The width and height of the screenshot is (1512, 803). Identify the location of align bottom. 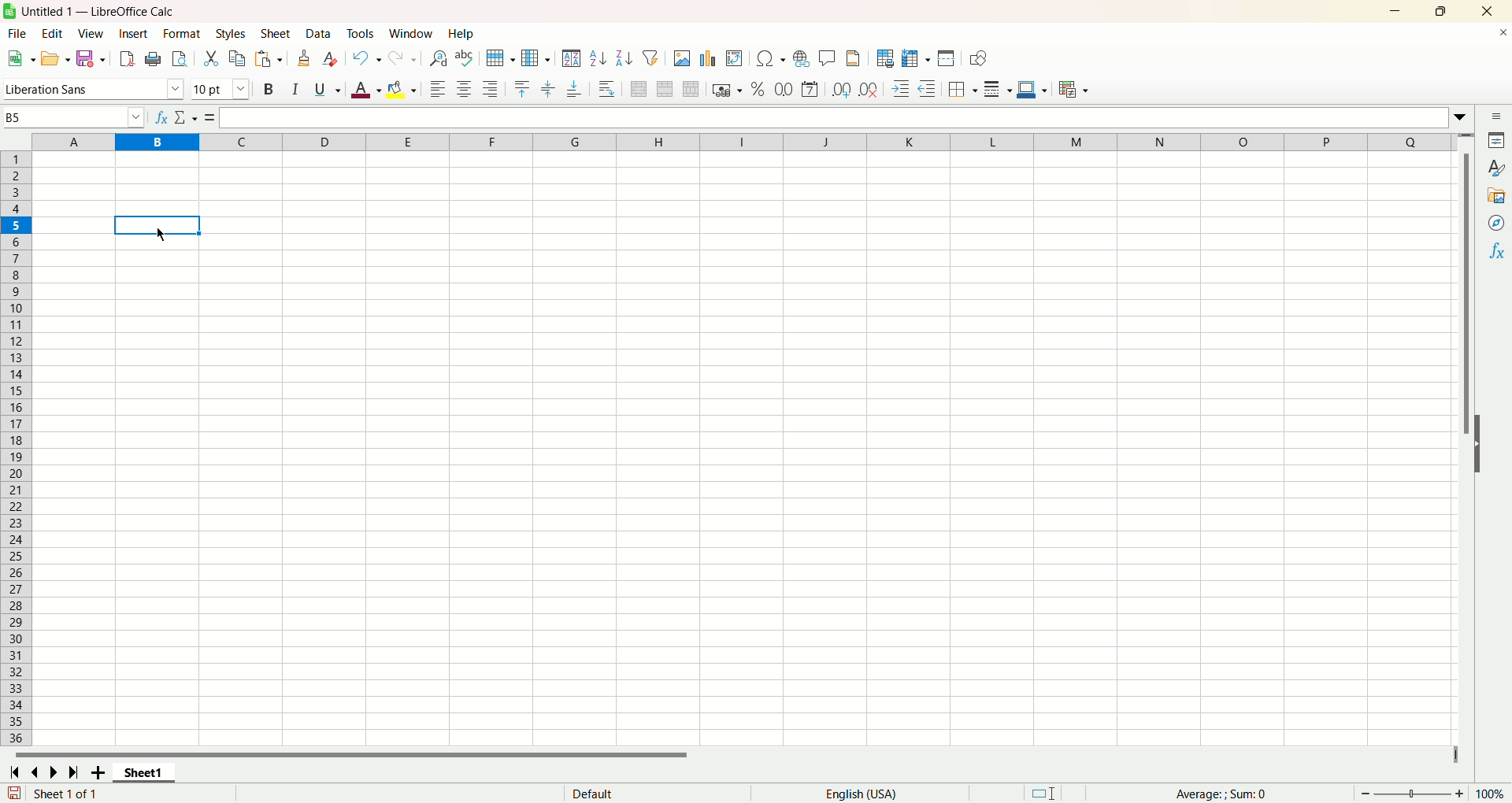
(578, 88).